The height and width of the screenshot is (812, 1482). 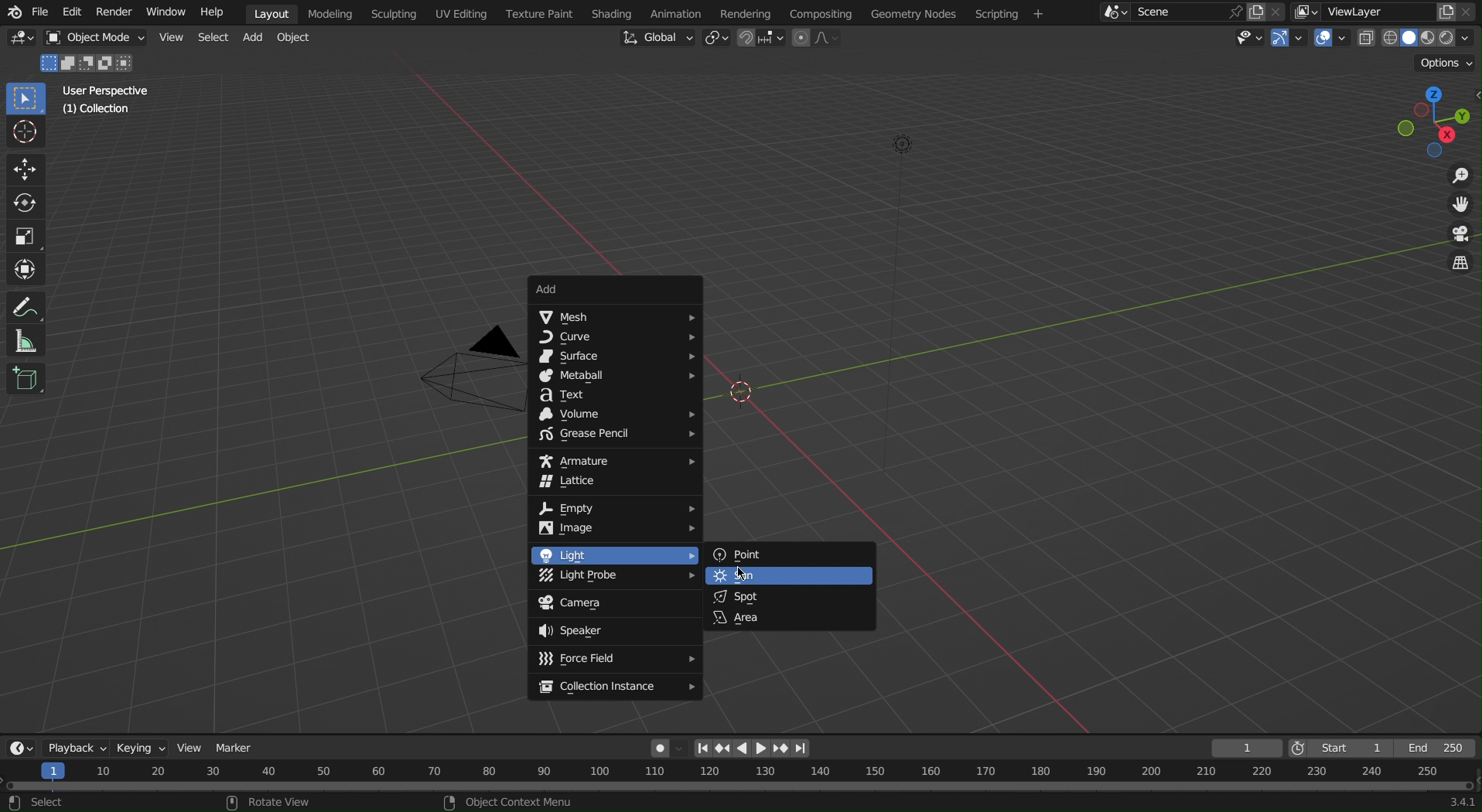 I want to click on Editor Types, so click(x=19, y=745).